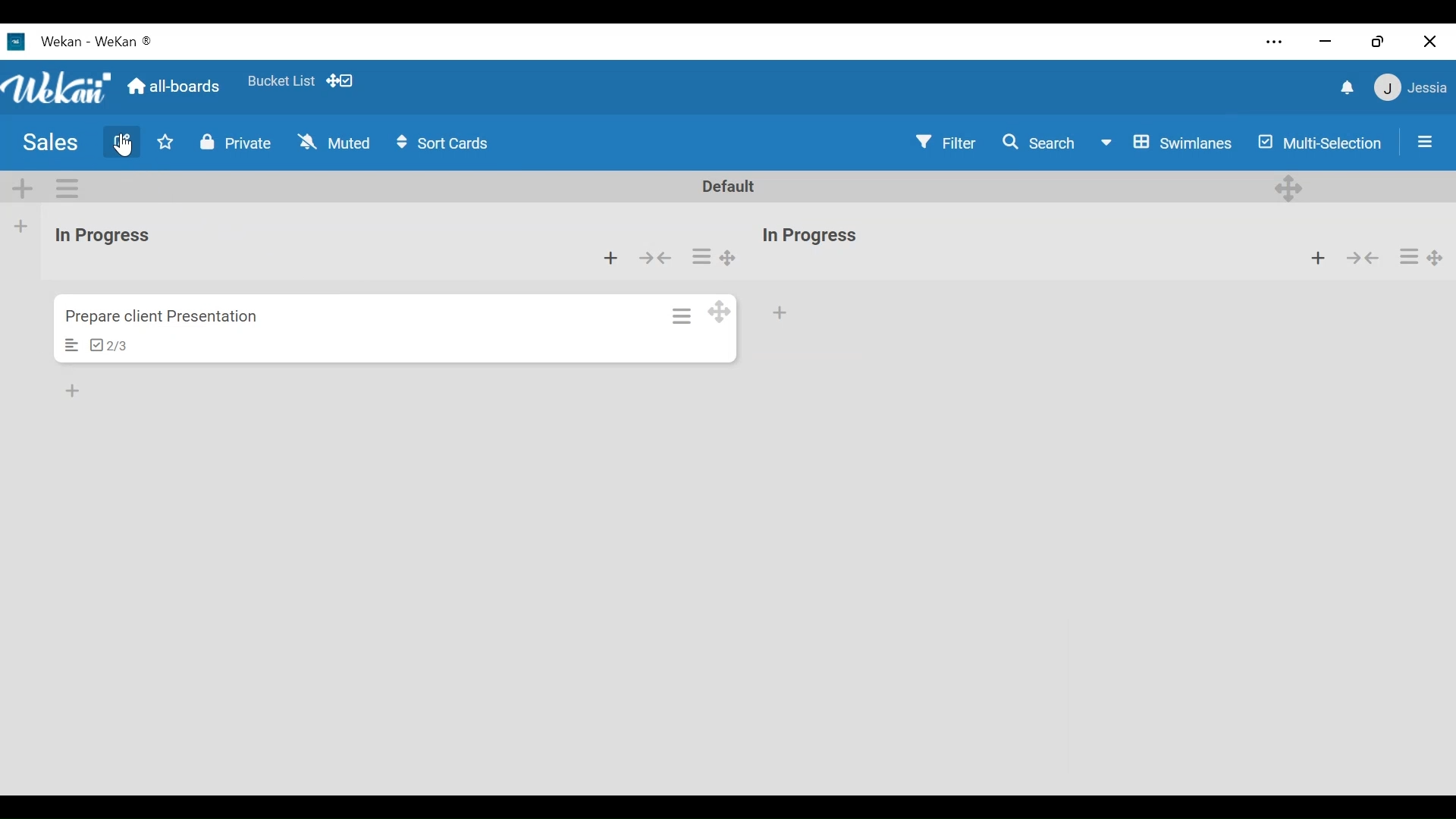 Image resolution: width=1456 pixels, height=819 pixels. I want to click on Sort cards, so click(442, 144).